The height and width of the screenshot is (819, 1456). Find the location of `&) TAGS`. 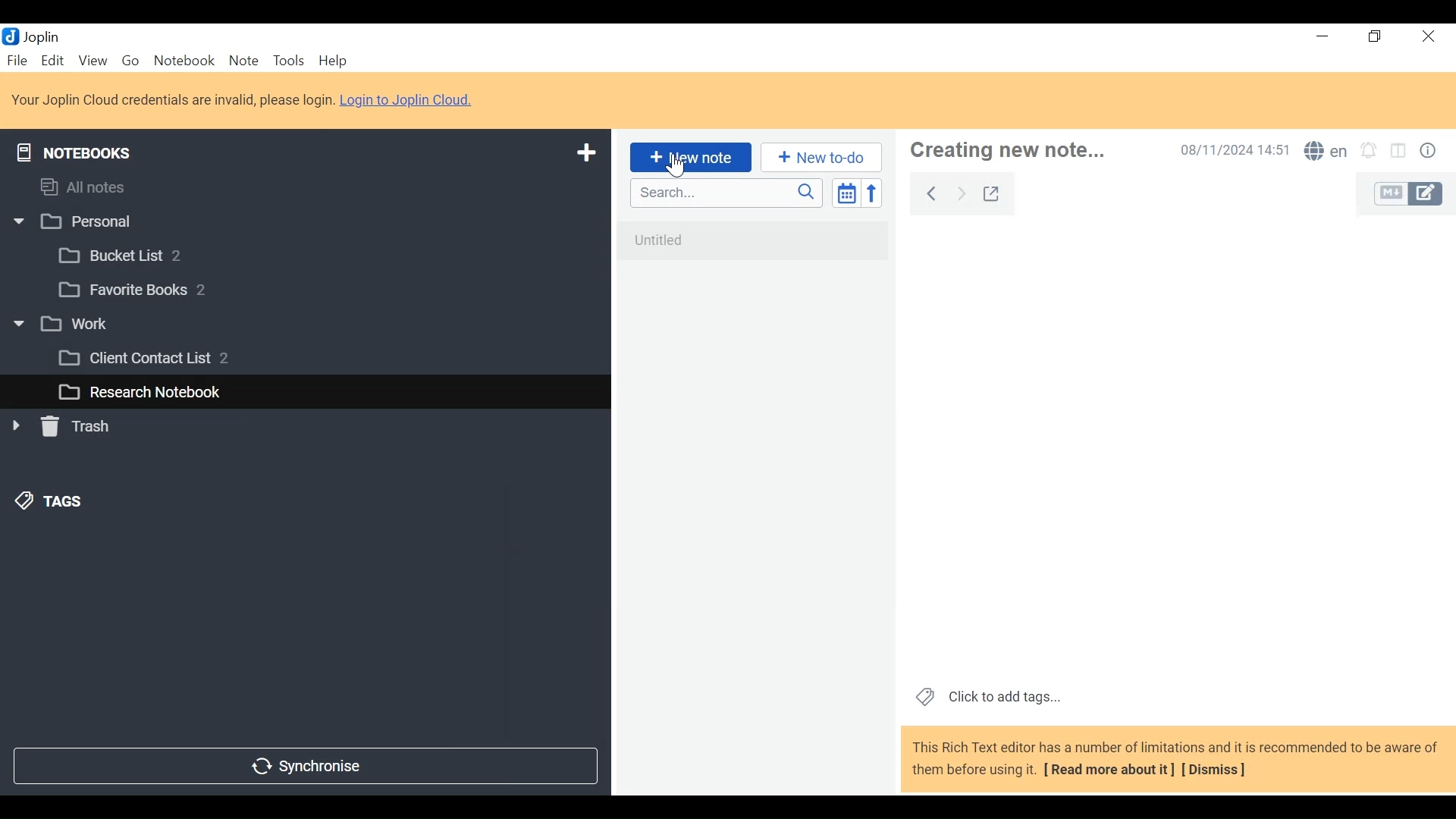

&) TAGS is located at coordinates (66, 503).